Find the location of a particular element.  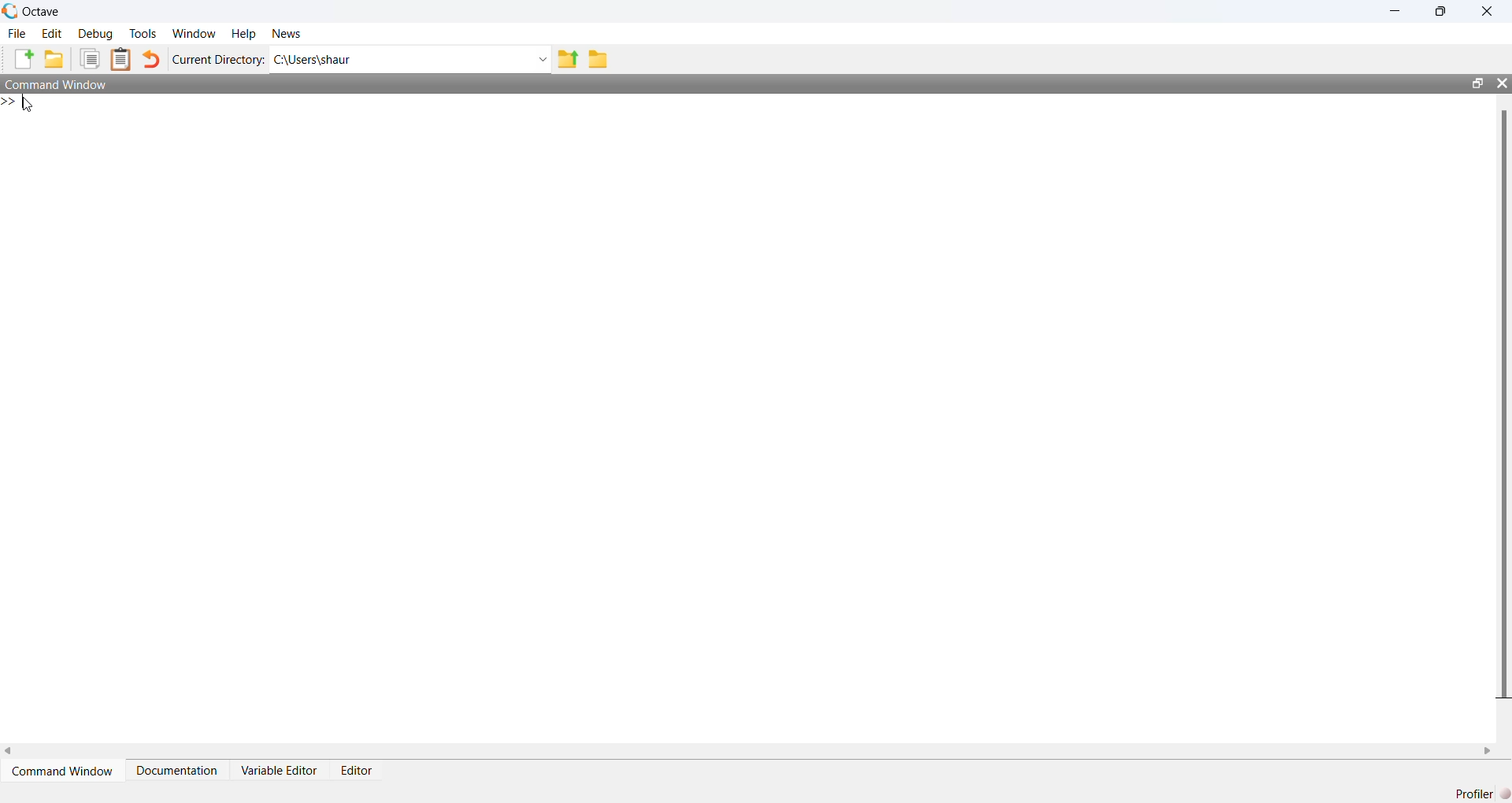

minimise is located at coordinates (1396, 10).